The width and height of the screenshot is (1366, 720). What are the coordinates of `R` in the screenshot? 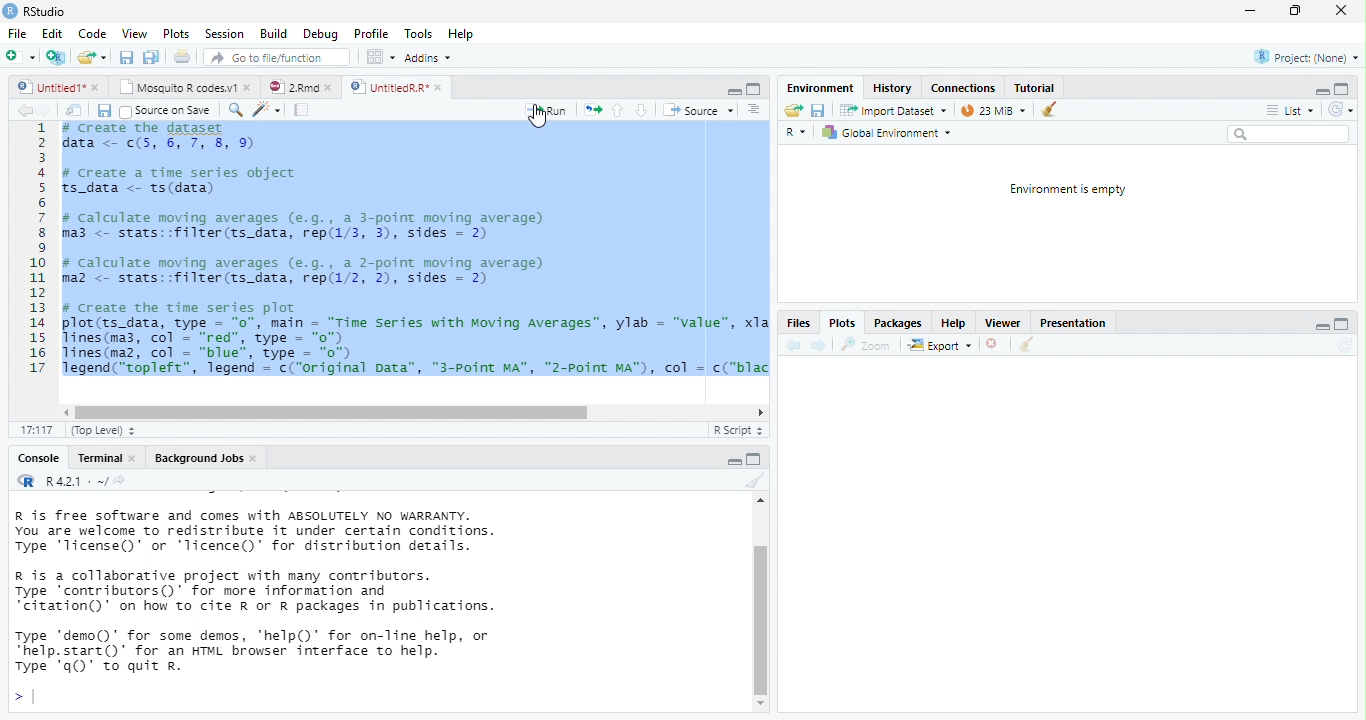 It's located at (798, 134).